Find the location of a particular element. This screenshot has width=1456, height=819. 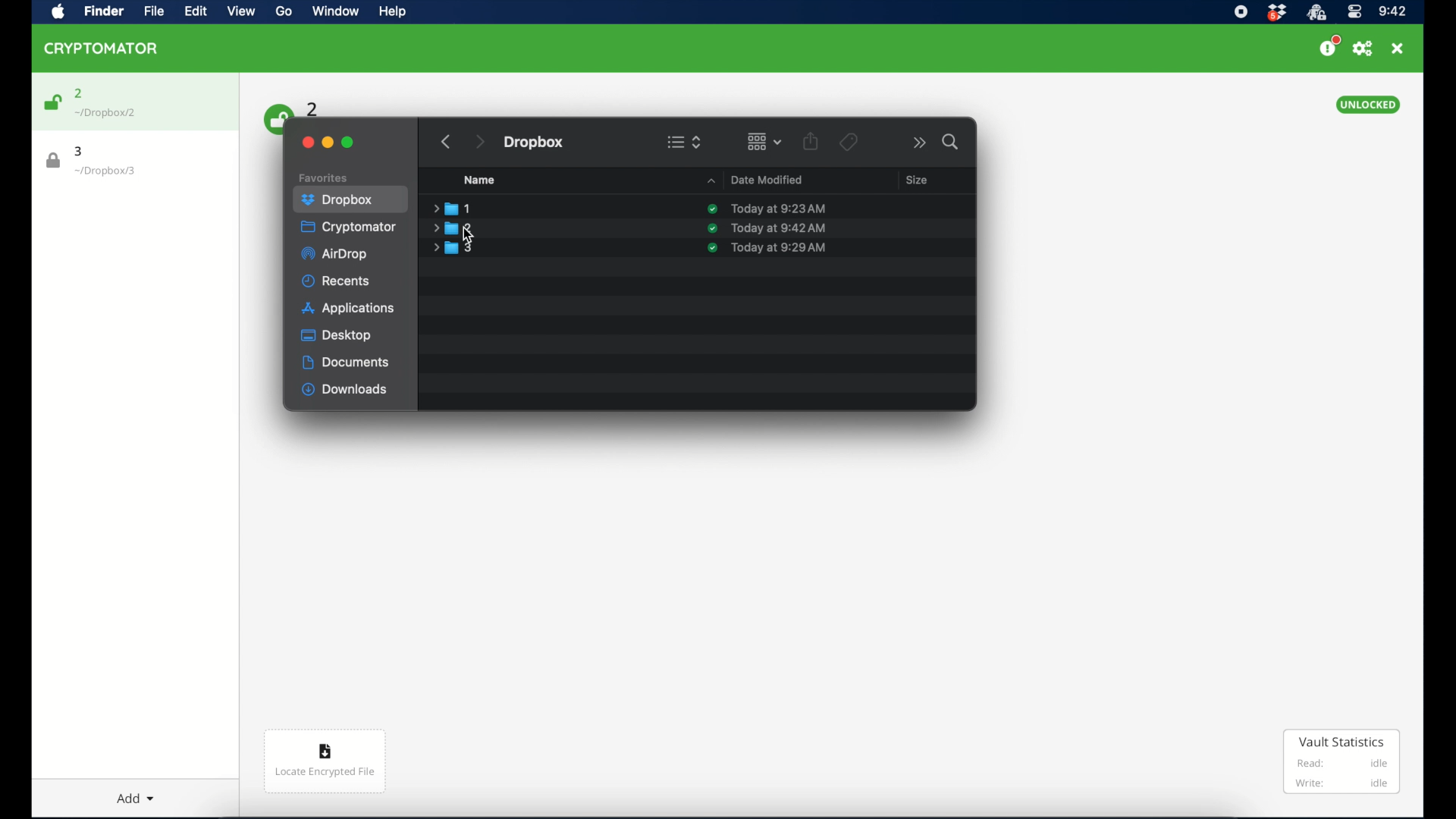

go is located at coordinates (282, 11).